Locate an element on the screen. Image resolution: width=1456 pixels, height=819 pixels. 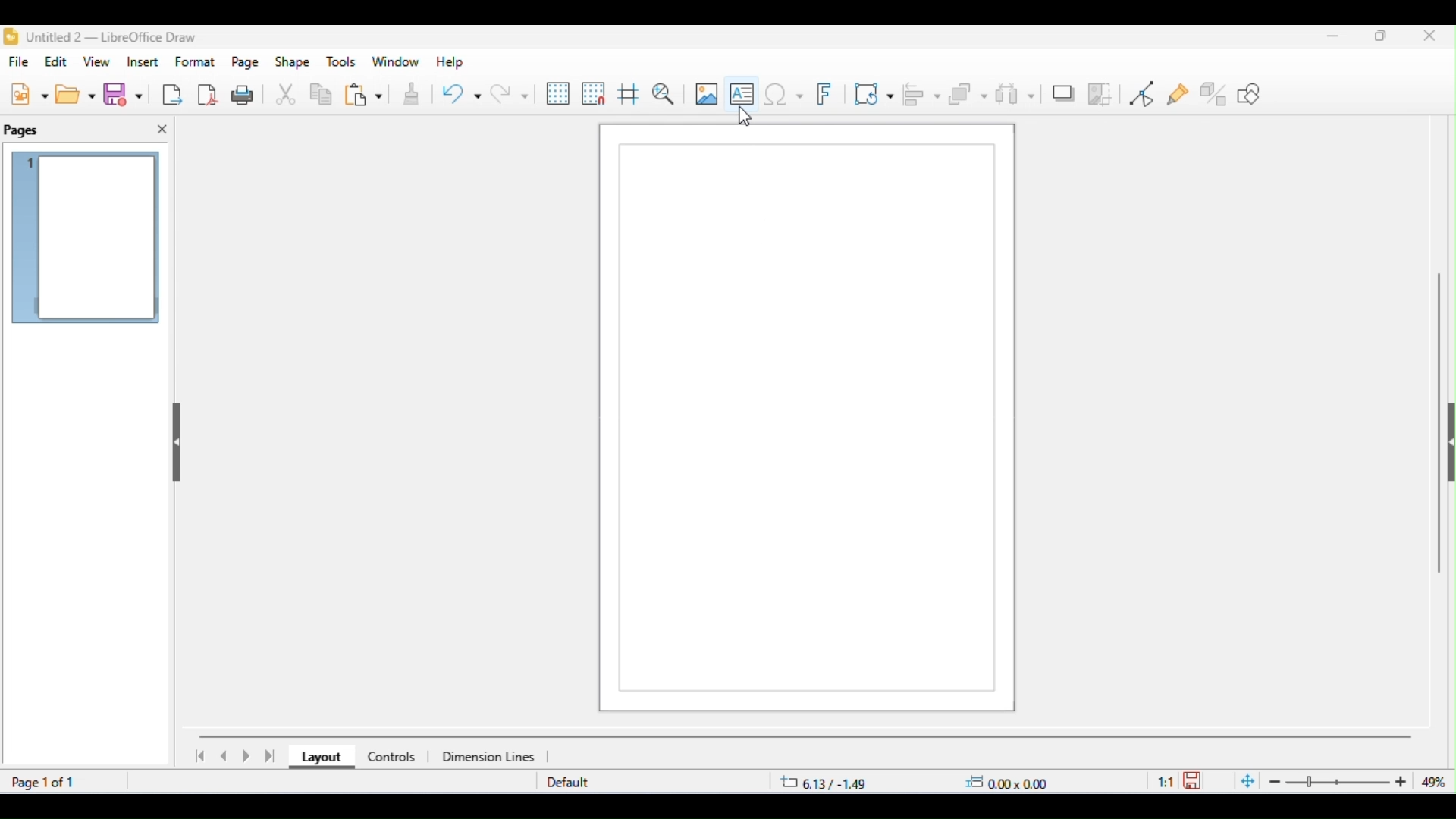
minimize is located at coordinates (1328, 39).